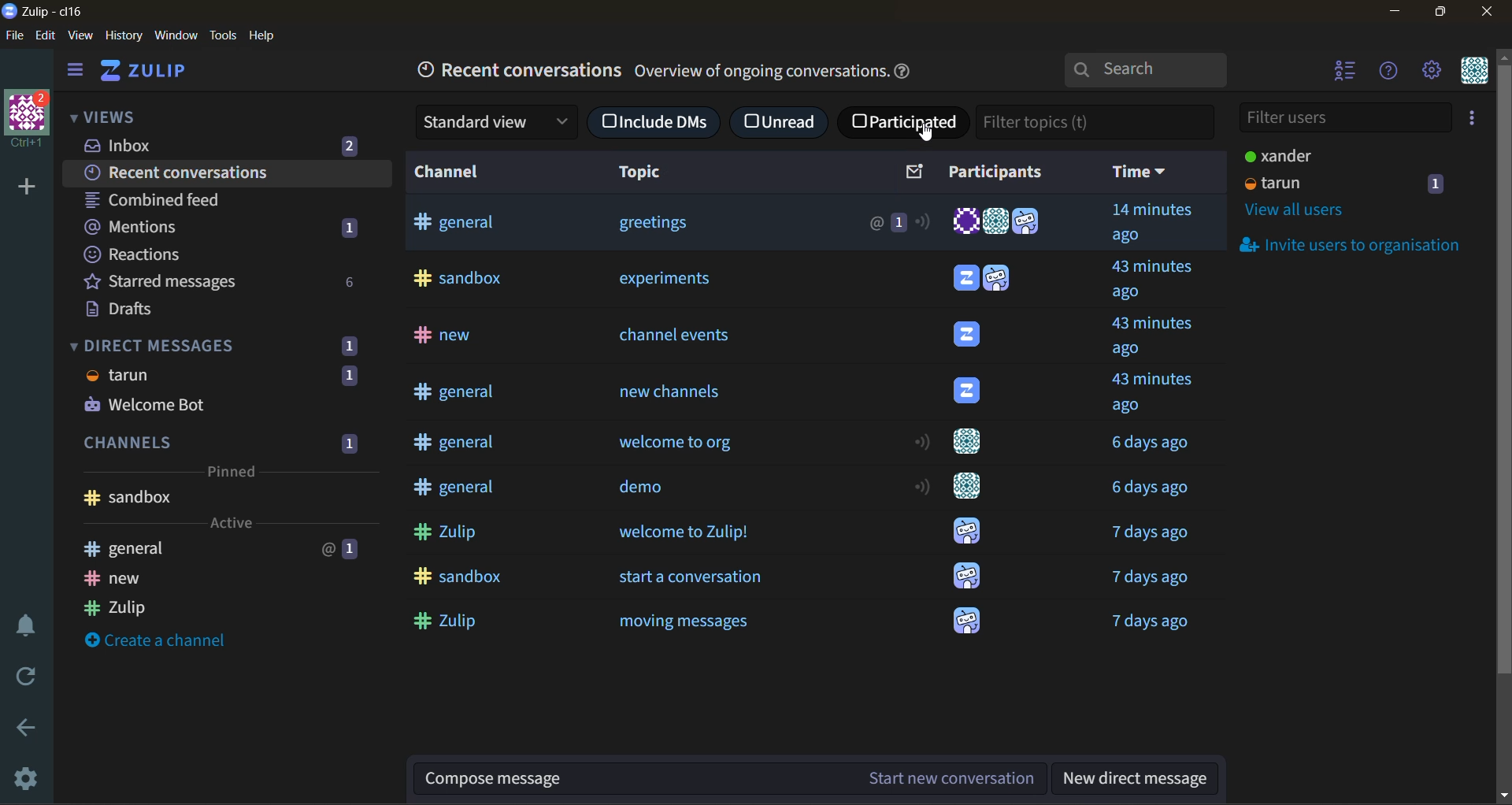  Describe the element at coordinates (654, 223) in the screenshot. I see `greeting` at that location.